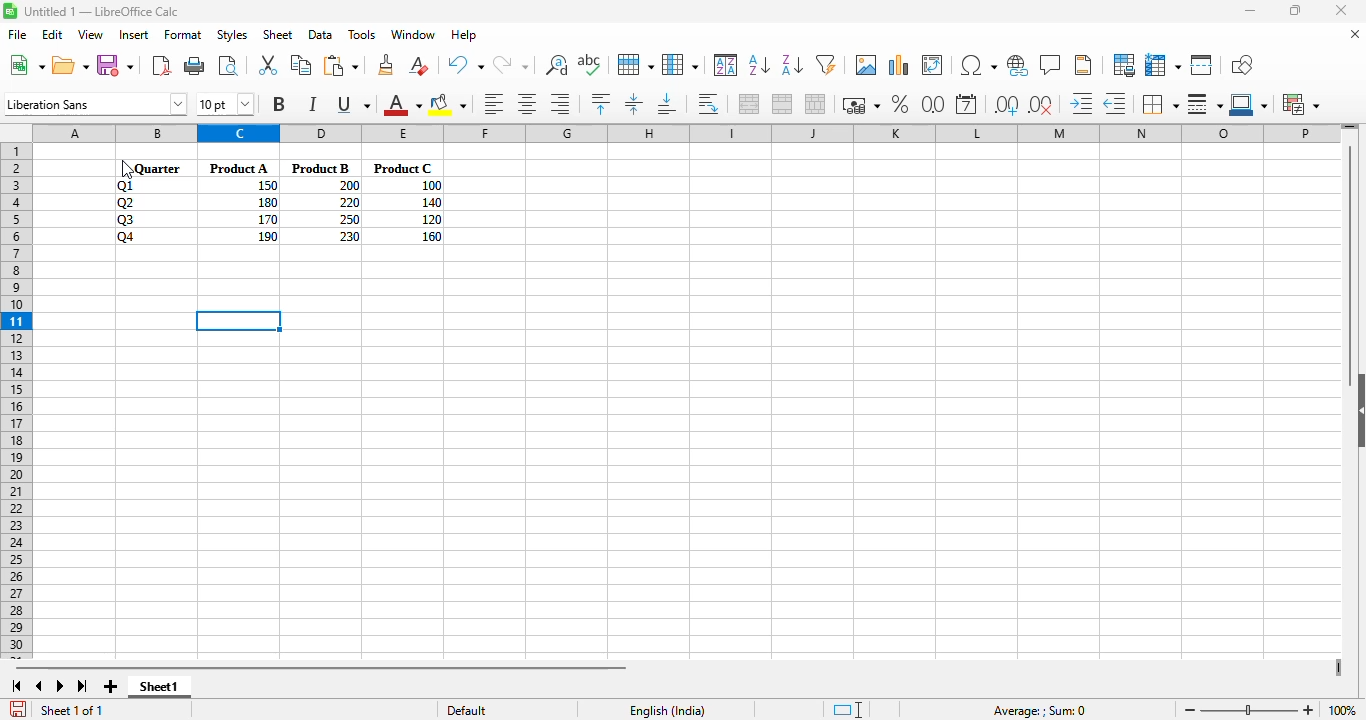 Image resolution: width=1366 pixels, height=720 pixels. I want to click on borders, so click(1160, 103).